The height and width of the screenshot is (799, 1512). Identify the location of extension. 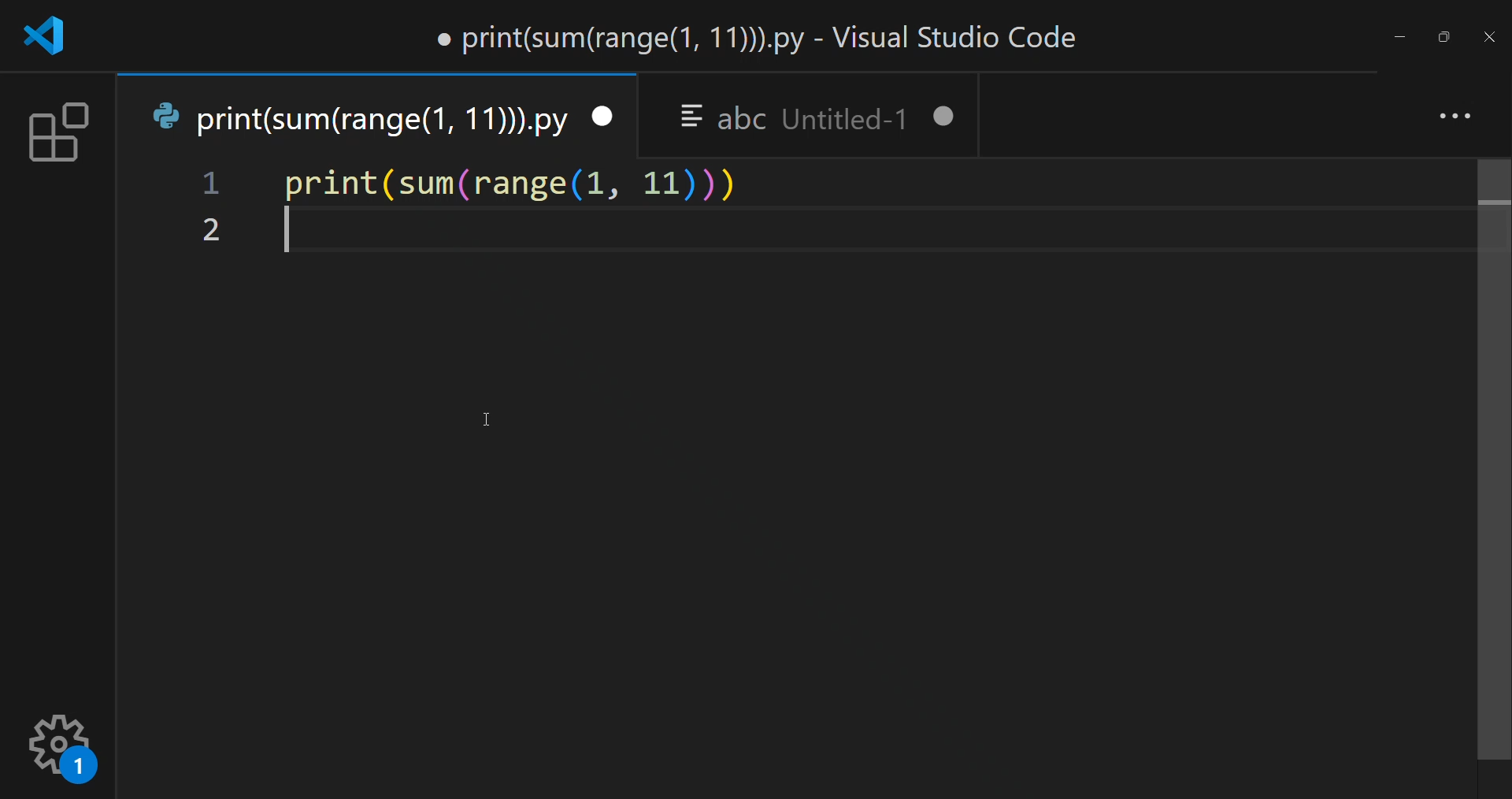
(59, 130).